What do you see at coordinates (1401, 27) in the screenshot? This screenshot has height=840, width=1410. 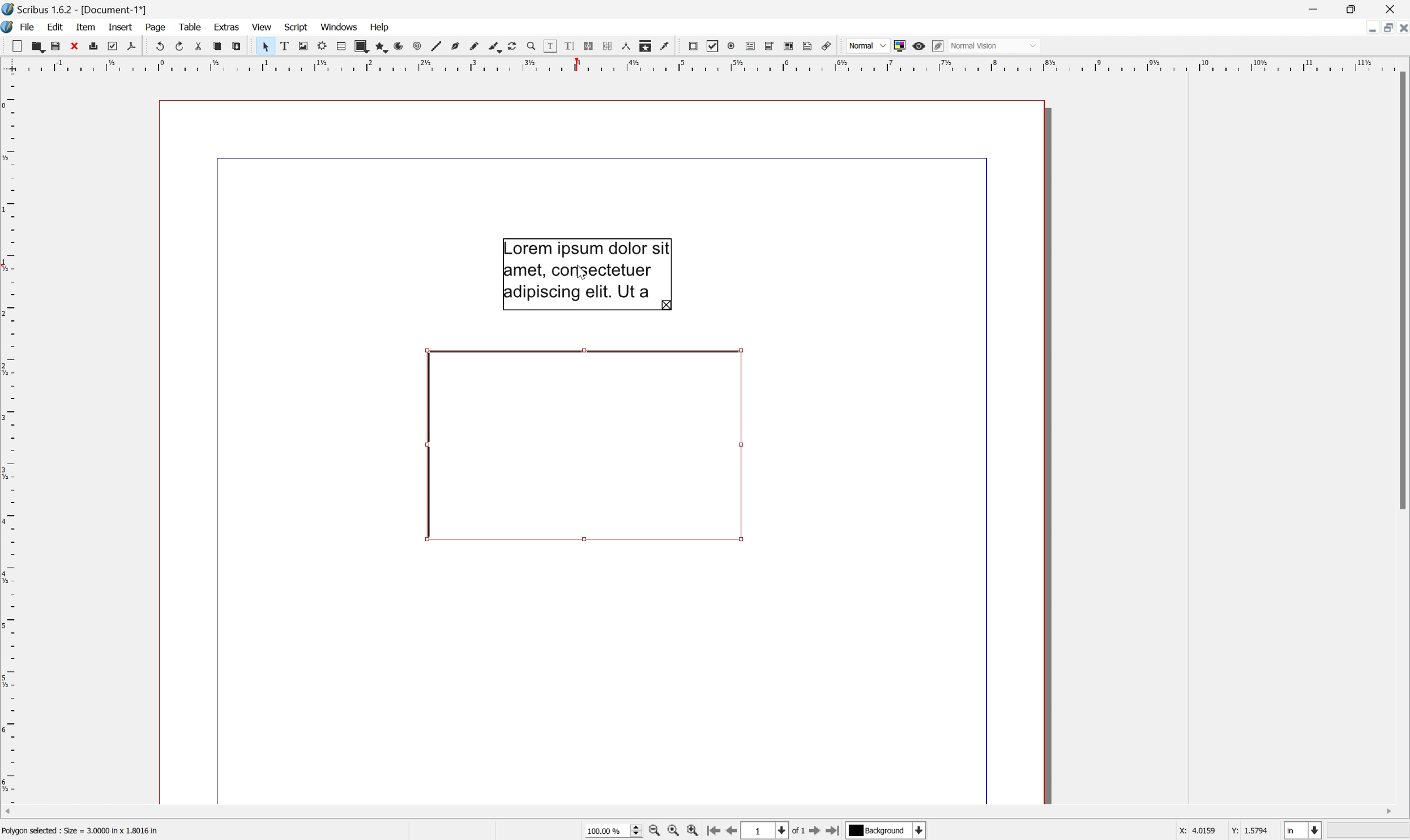 I see `Close` at bounding box center [1401, 27].